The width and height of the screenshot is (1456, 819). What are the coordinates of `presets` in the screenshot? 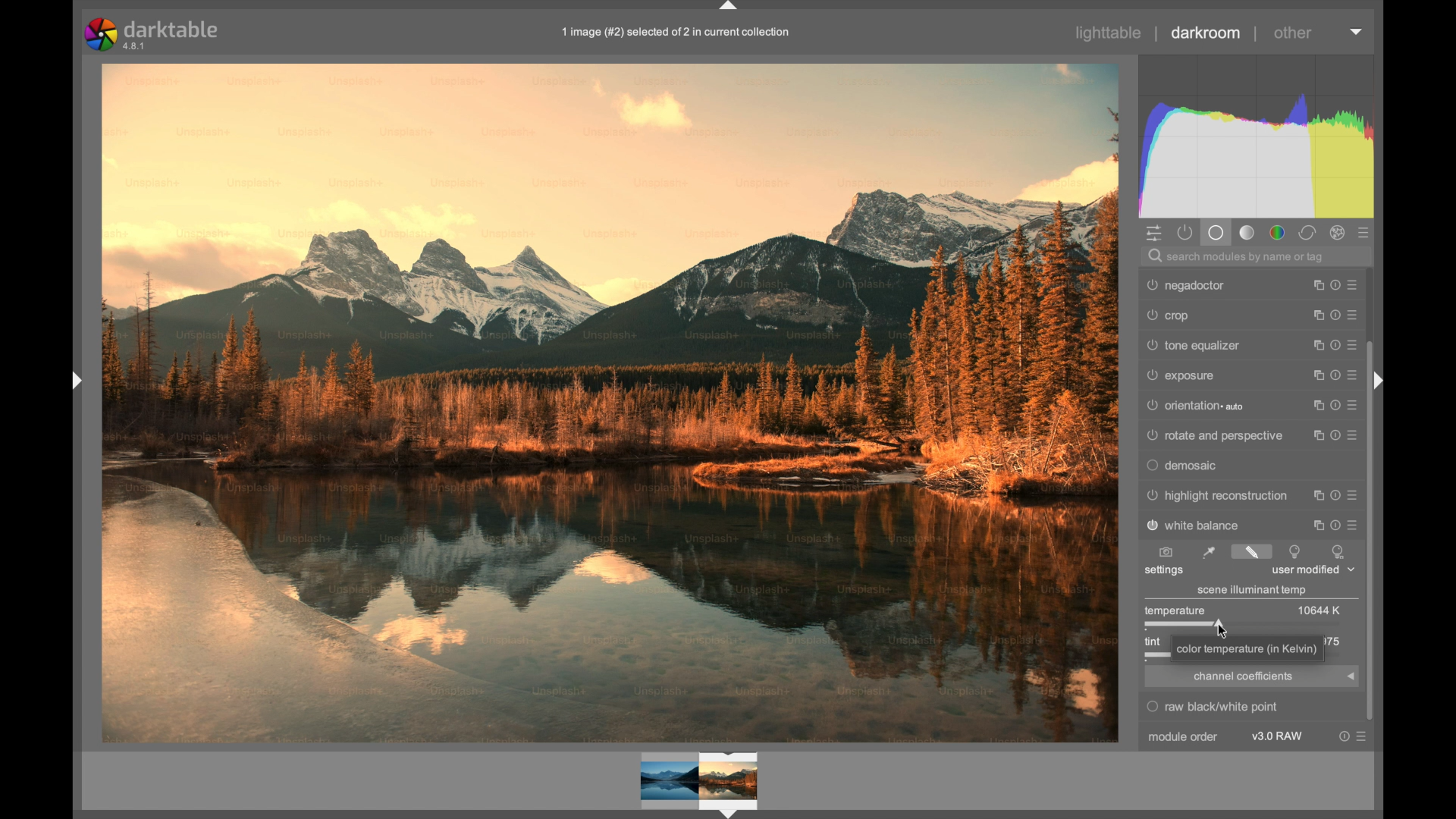 It's located at (1356, 281).